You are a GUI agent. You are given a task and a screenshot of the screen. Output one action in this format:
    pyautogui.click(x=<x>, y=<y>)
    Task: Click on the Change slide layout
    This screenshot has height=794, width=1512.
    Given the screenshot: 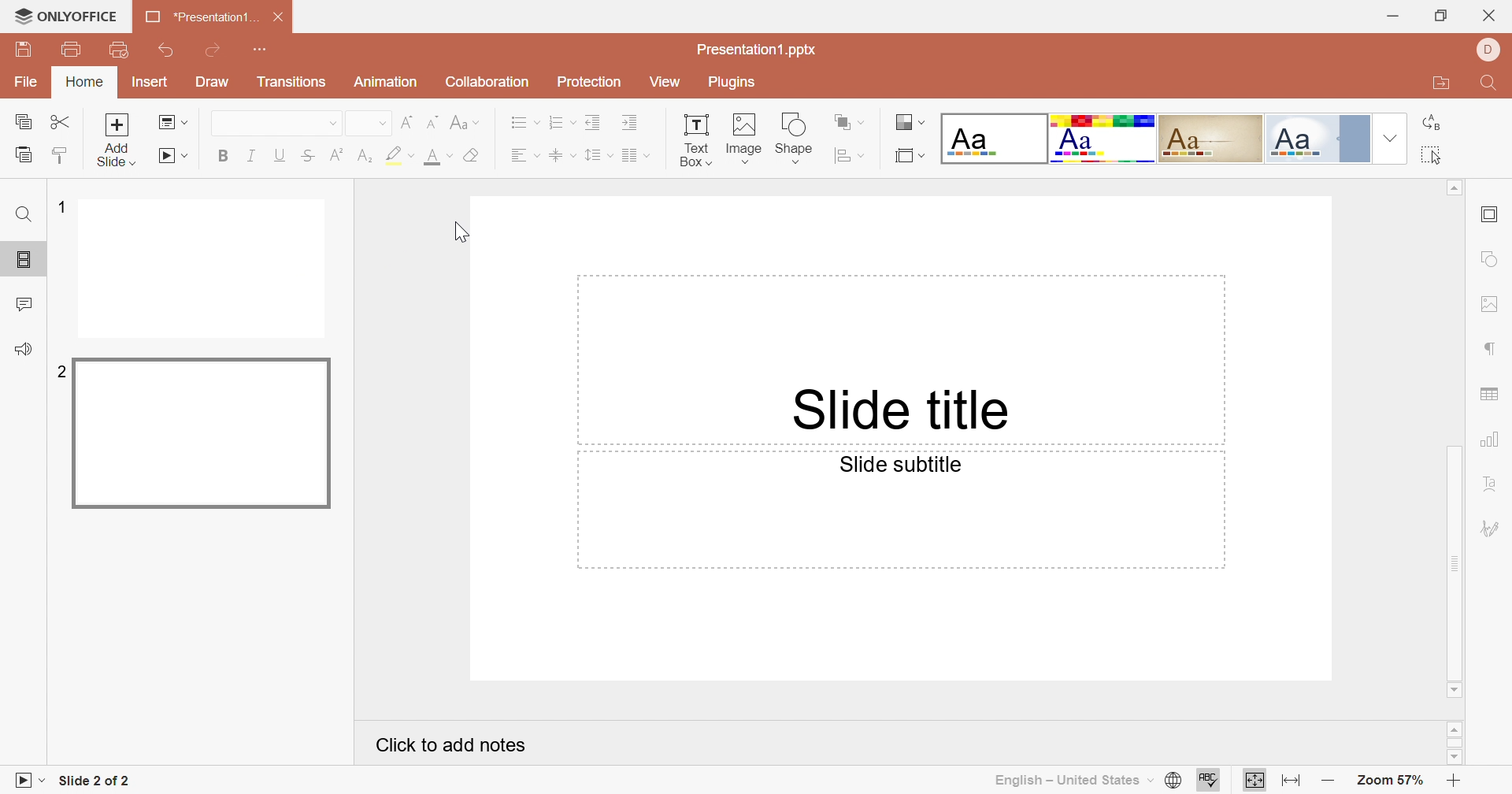 What is the action you would take?
    pyautogui.click(x=169, y=122)
    